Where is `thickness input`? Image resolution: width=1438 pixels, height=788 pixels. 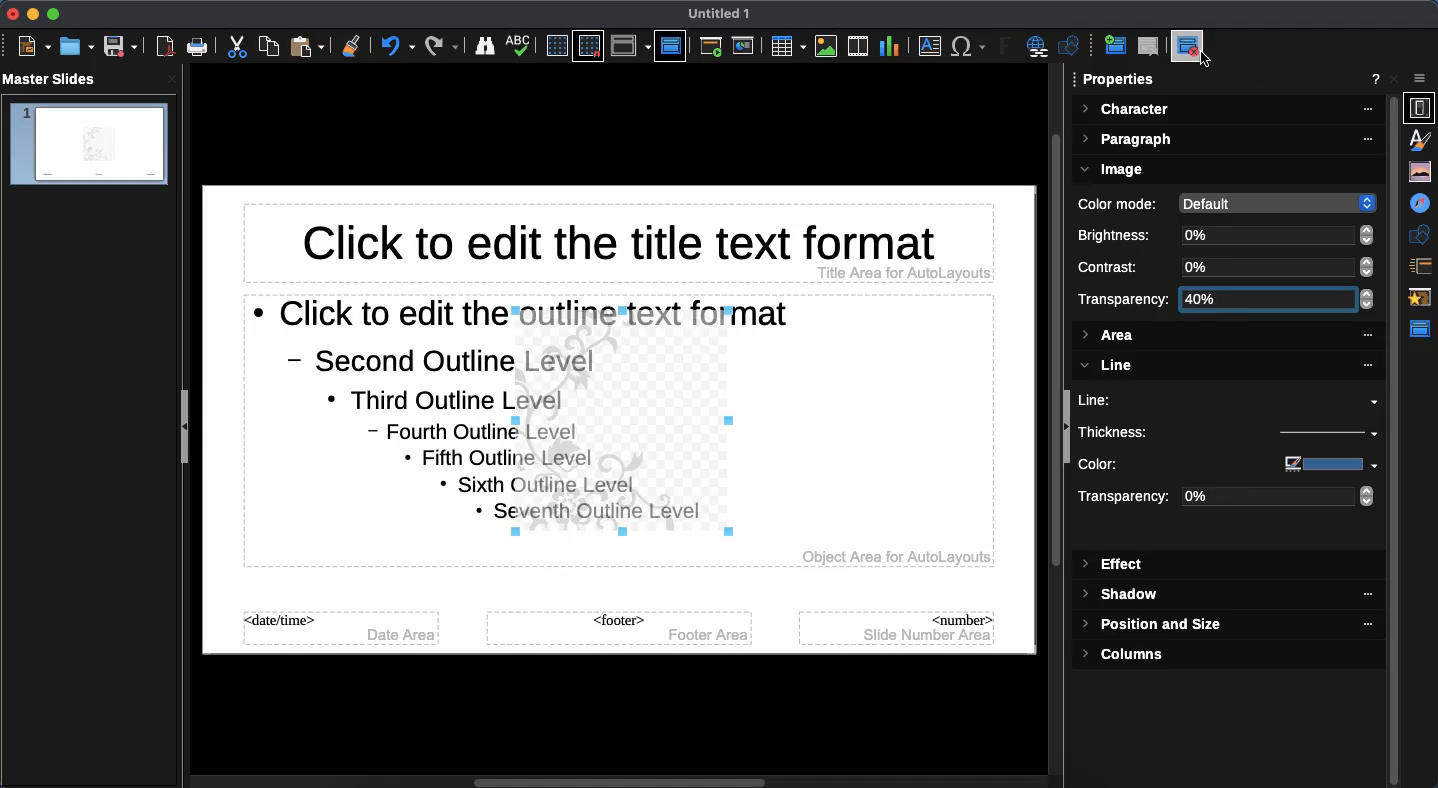 thickness input is located at coordinates (1315, 435).